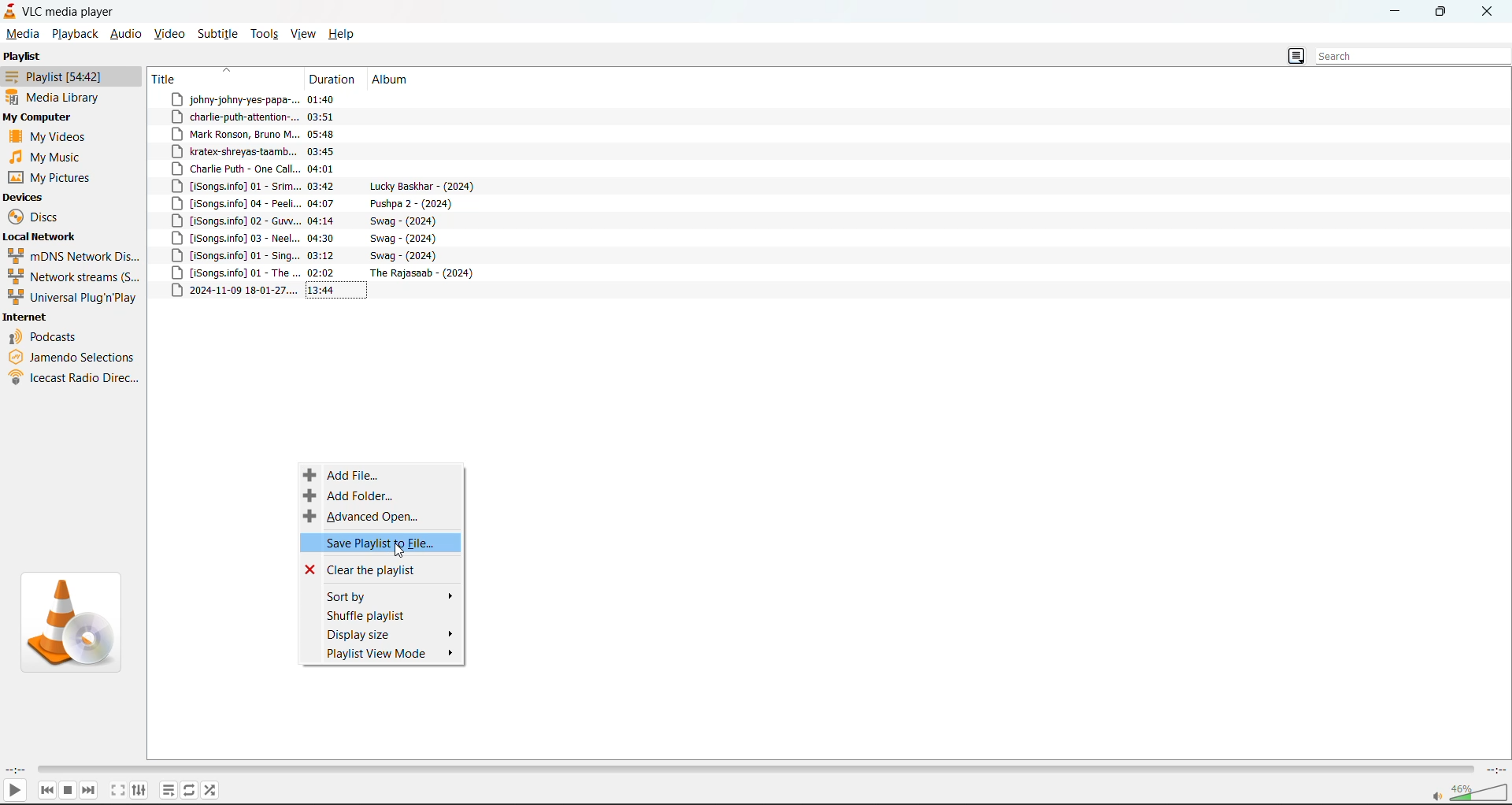 This screenshot has height=805, width=1512. What do you see at coordinates (72, 355) in the screenshot?
I see `jamendo selections` at bounding box center [72, 355].